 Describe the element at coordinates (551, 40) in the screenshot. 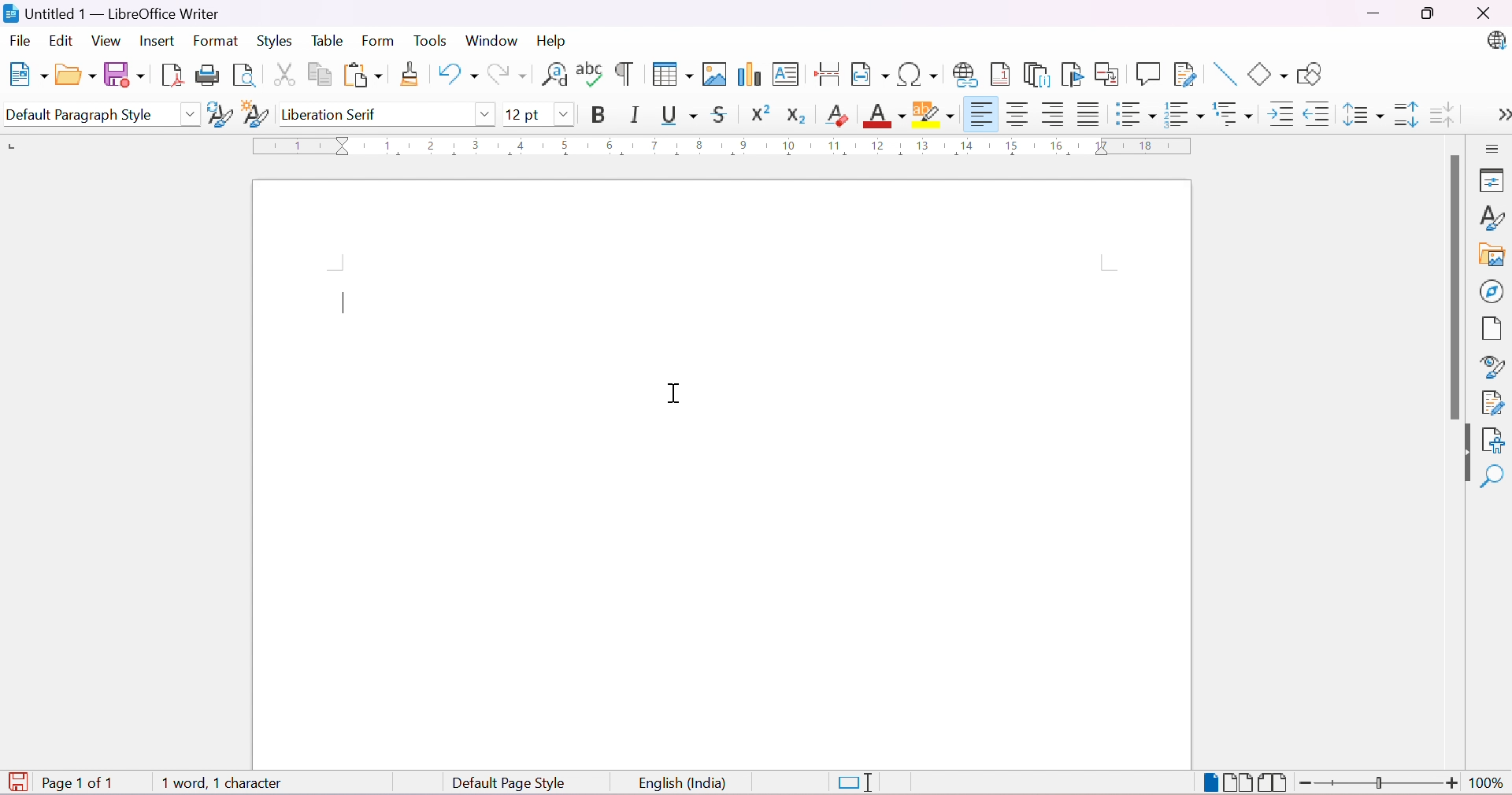

I see `Help` at that location.